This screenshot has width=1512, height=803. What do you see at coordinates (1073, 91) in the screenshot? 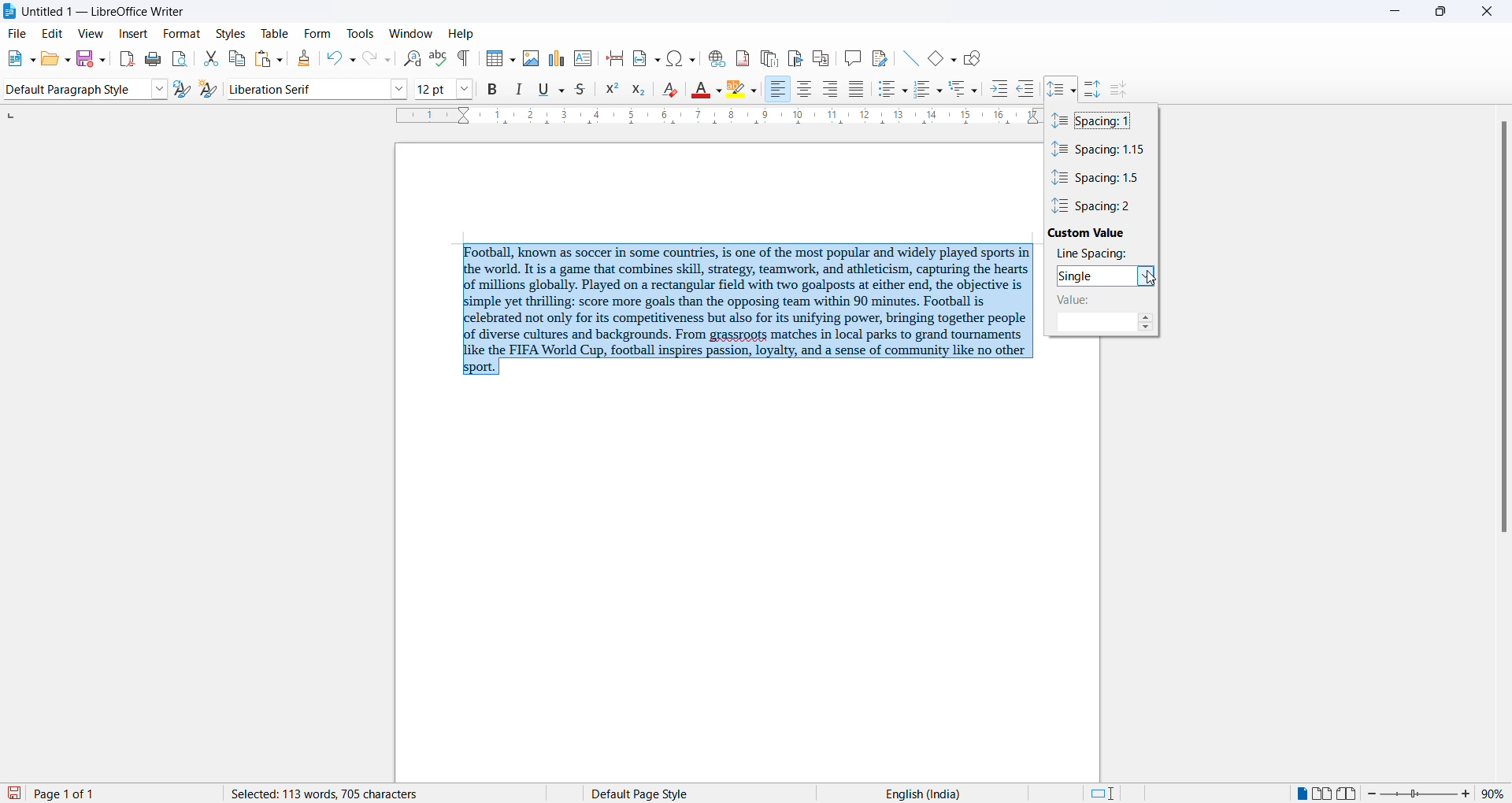
I see `line spacing option dropdown` at bounding box center [1073, 91].